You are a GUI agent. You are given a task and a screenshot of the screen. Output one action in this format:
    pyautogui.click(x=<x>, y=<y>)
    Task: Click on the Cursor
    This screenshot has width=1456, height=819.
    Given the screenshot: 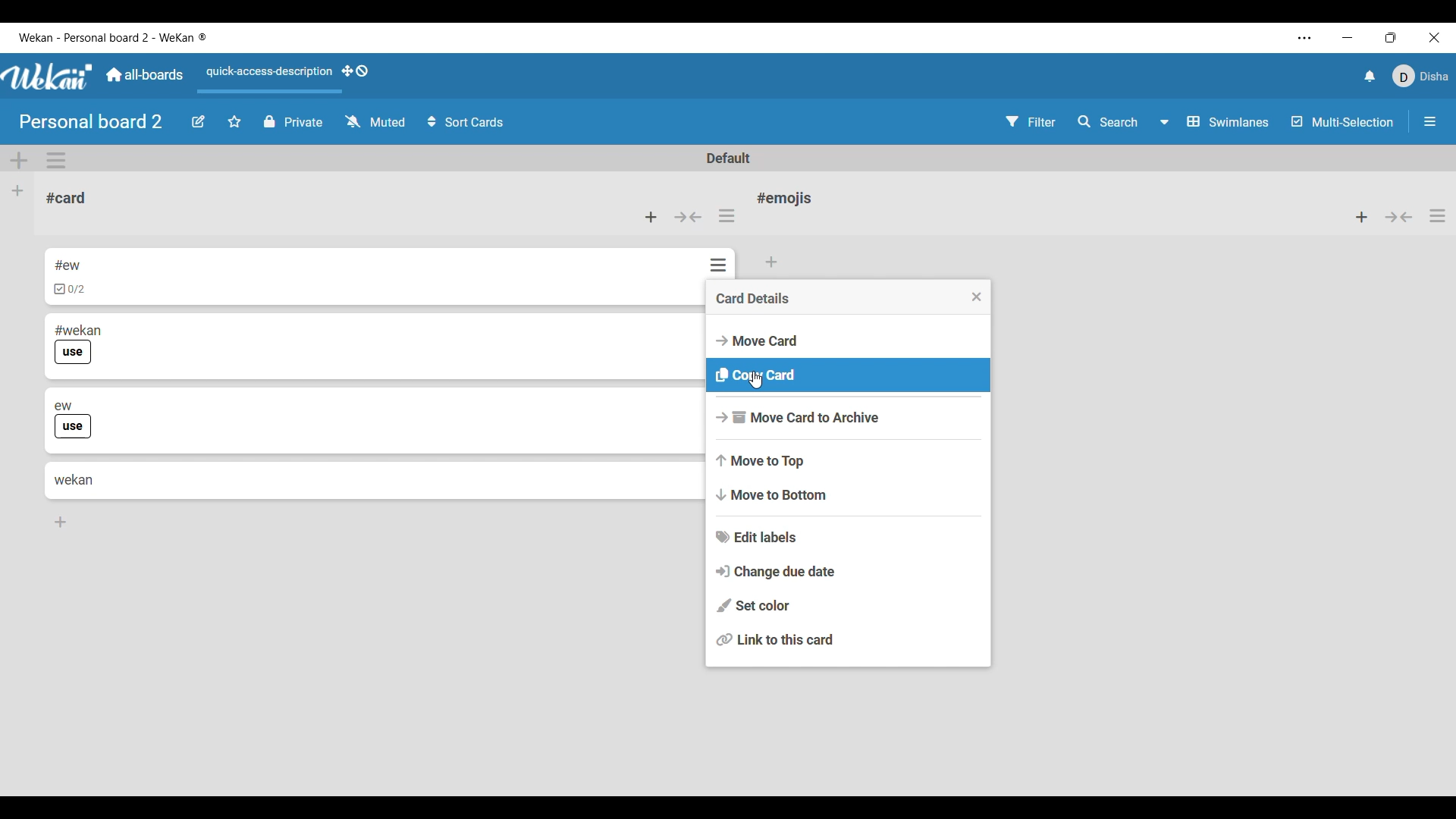 What is the action you would take?
    pyautogui.click(x=760, y=381)
    